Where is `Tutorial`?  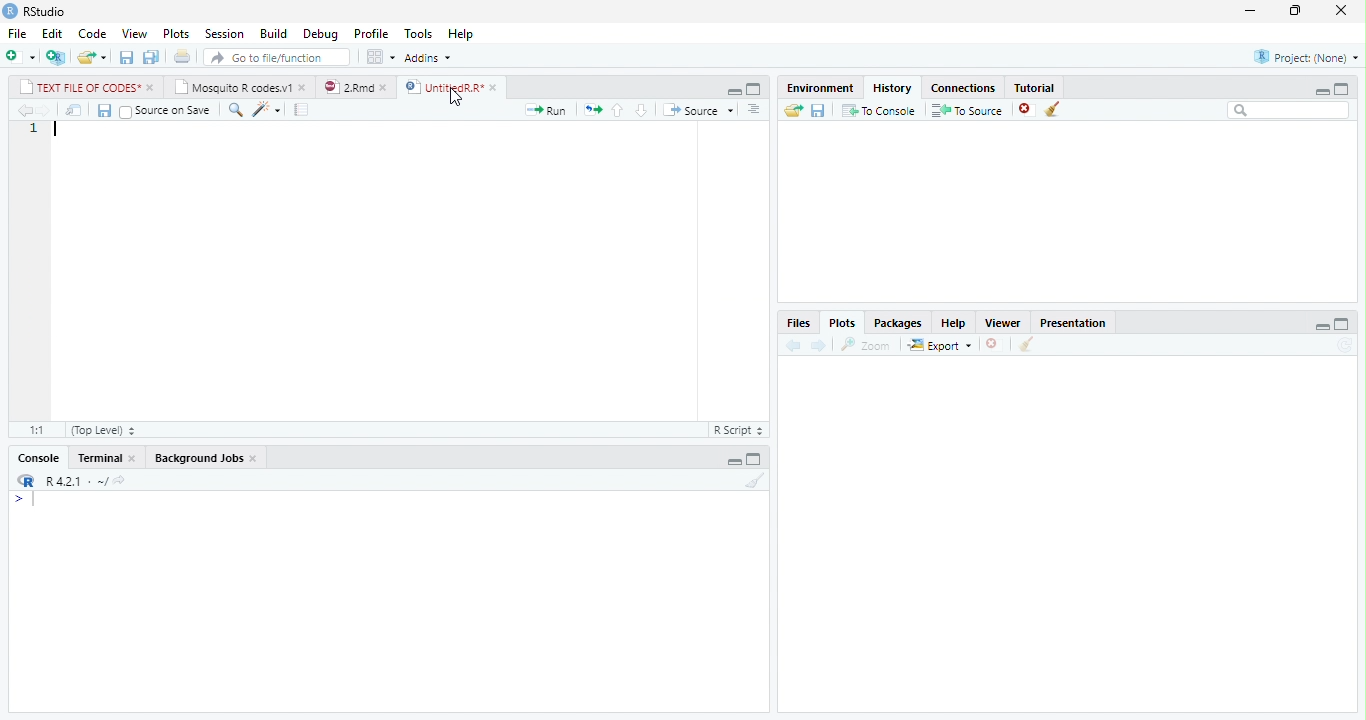 Tutorial is located at coordinates (1036, 87).